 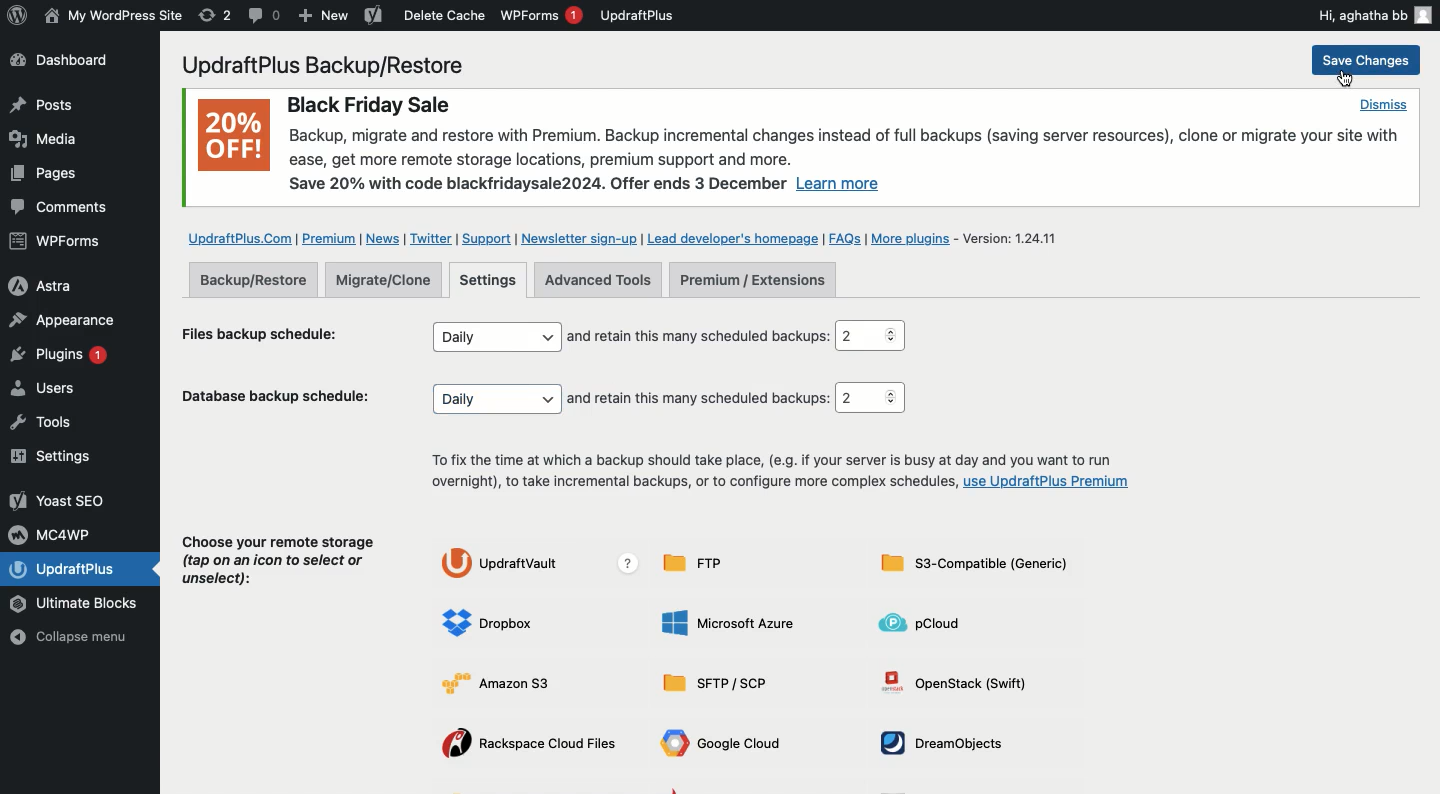 What do you see at coordinates (41, 177) in the screenshot?
I see `Posts` at bounding box center [41, 177].